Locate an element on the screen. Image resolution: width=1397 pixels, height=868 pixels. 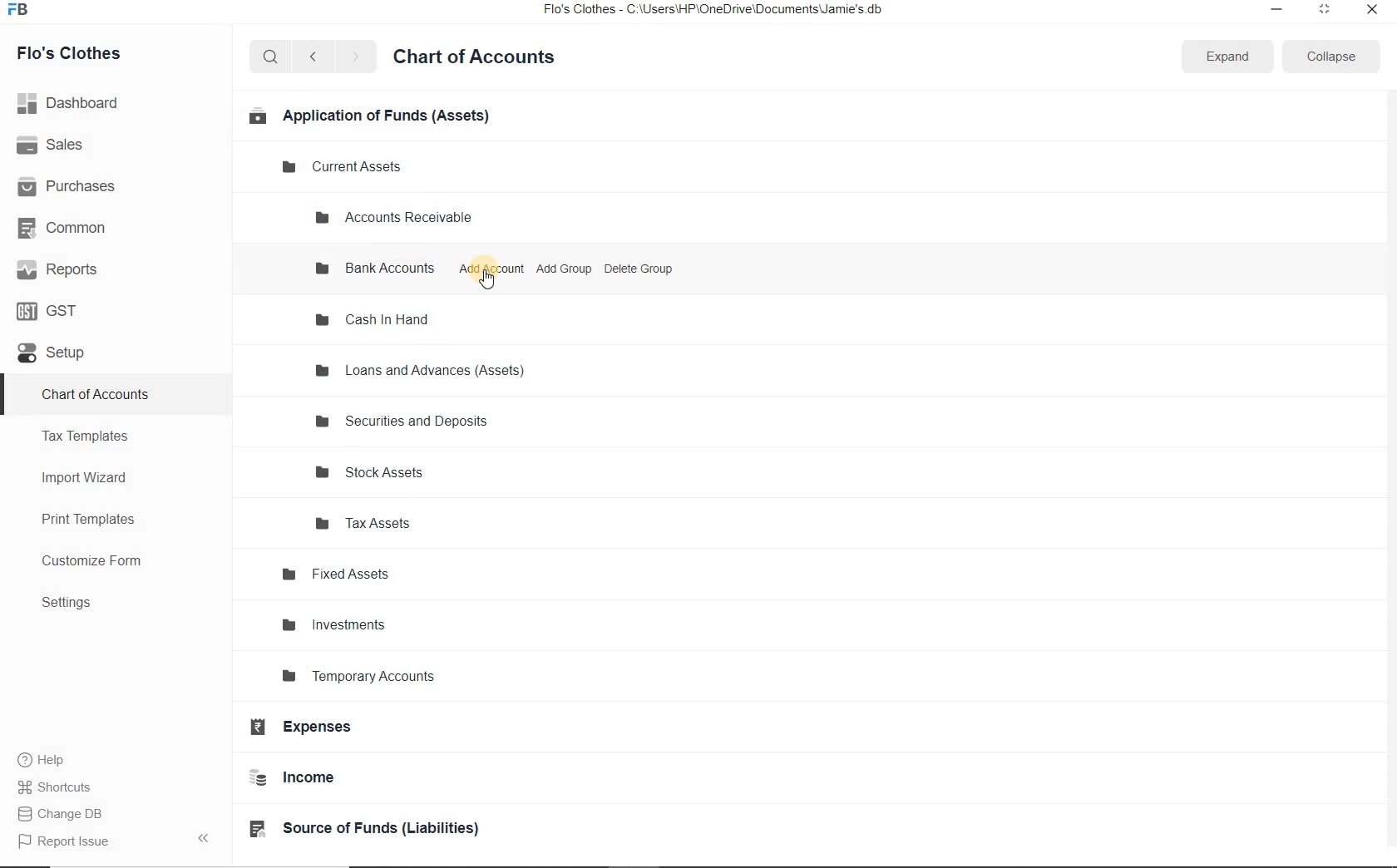
Delete Group is located at coordinates (639, 269).